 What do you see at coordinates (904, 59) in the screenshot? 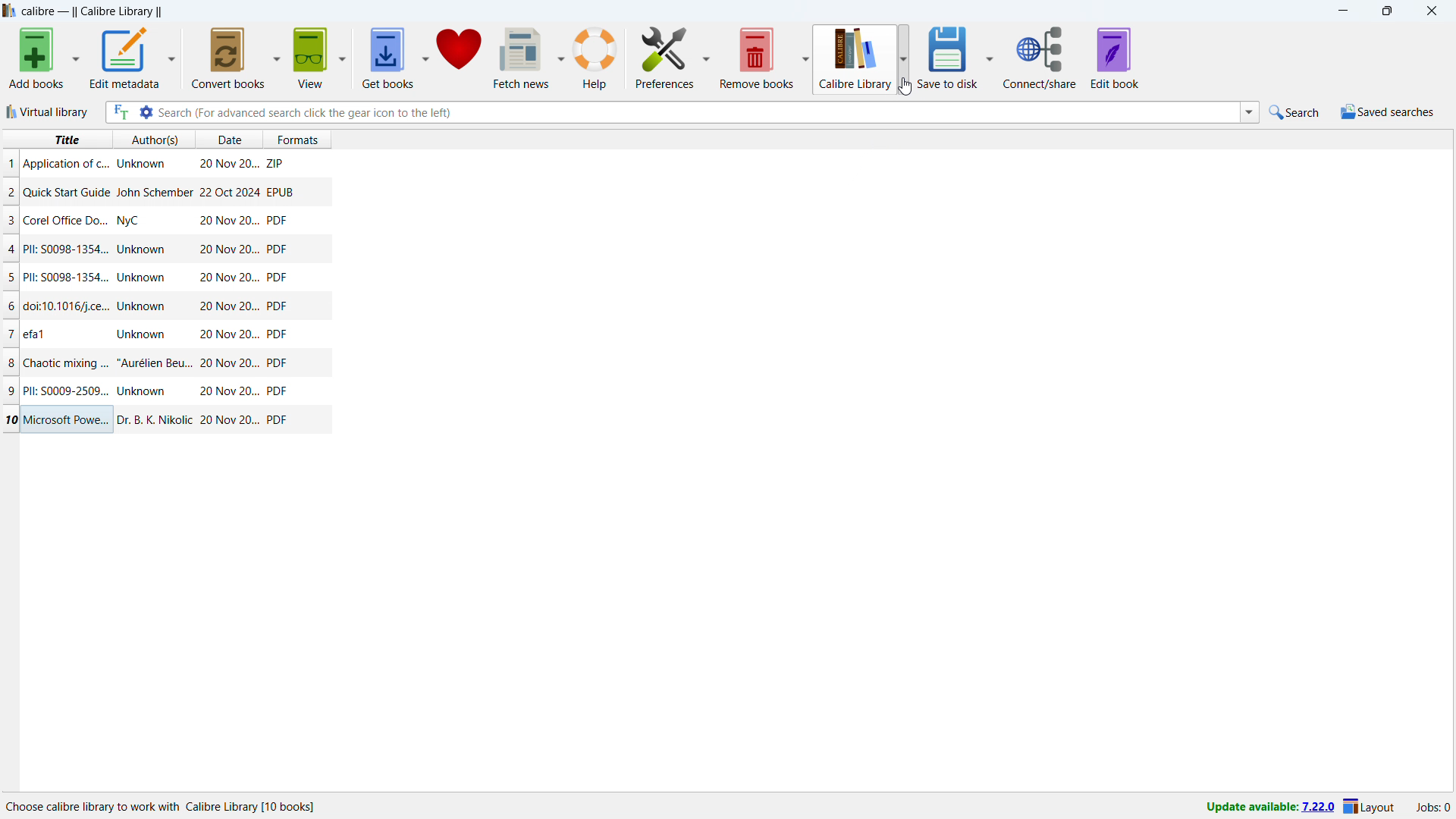
I see `calibre library options` at bounding box center [904, 59].